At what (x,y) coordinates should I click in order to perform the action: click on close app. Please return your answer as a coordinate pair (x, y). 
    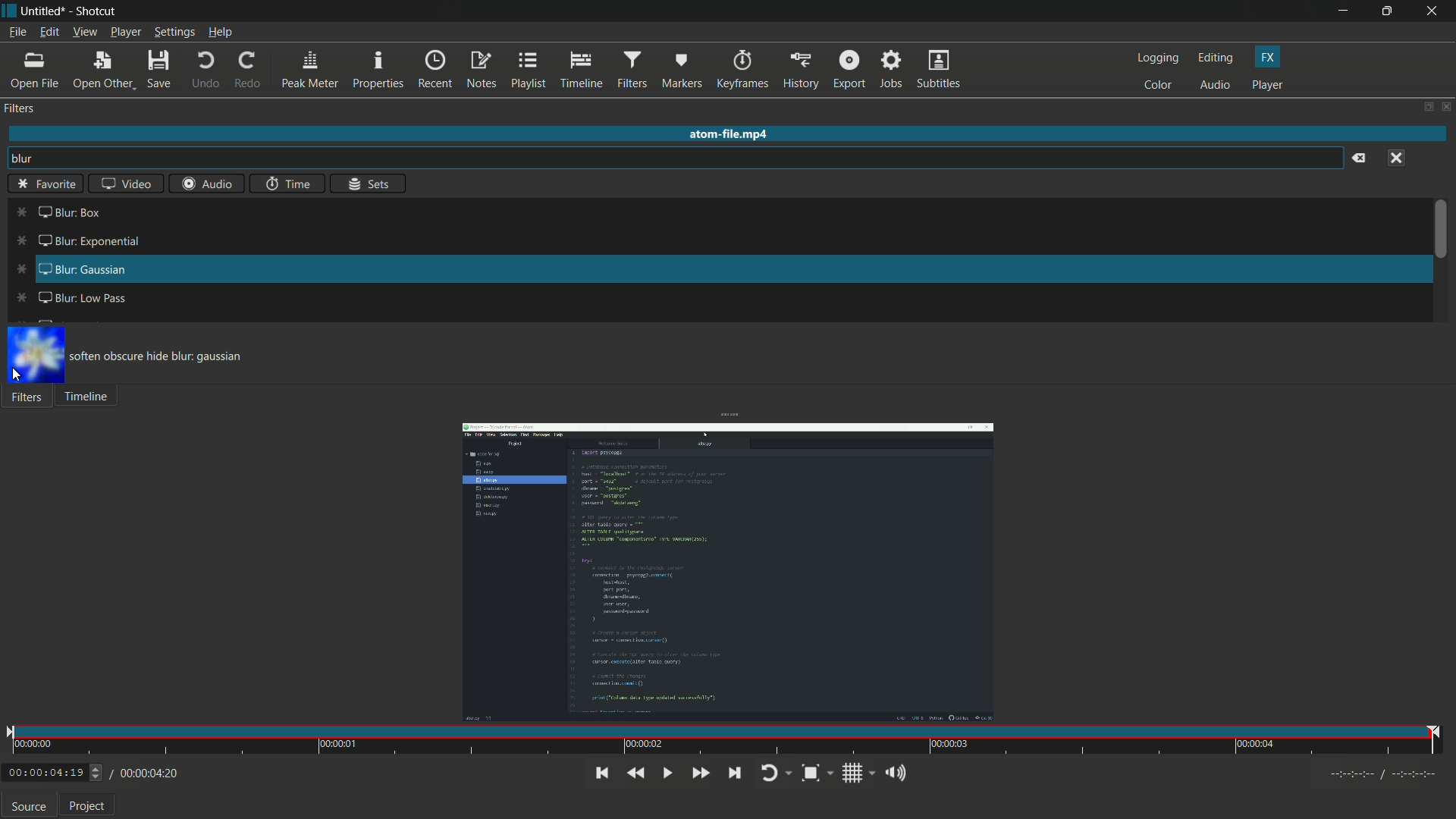
    Looking at the image, I should click on (1435, 11).